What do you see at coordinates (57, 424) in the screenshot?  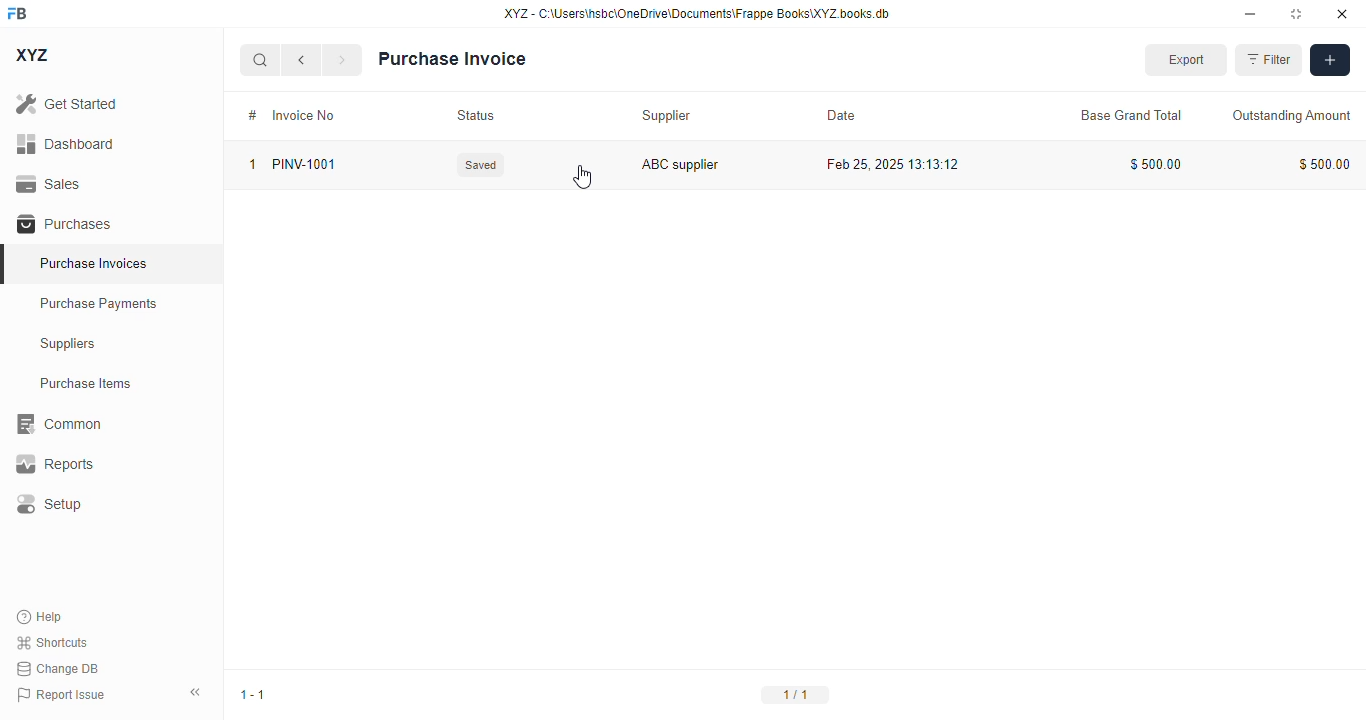 I see `common` at bounding box center [57, 424].